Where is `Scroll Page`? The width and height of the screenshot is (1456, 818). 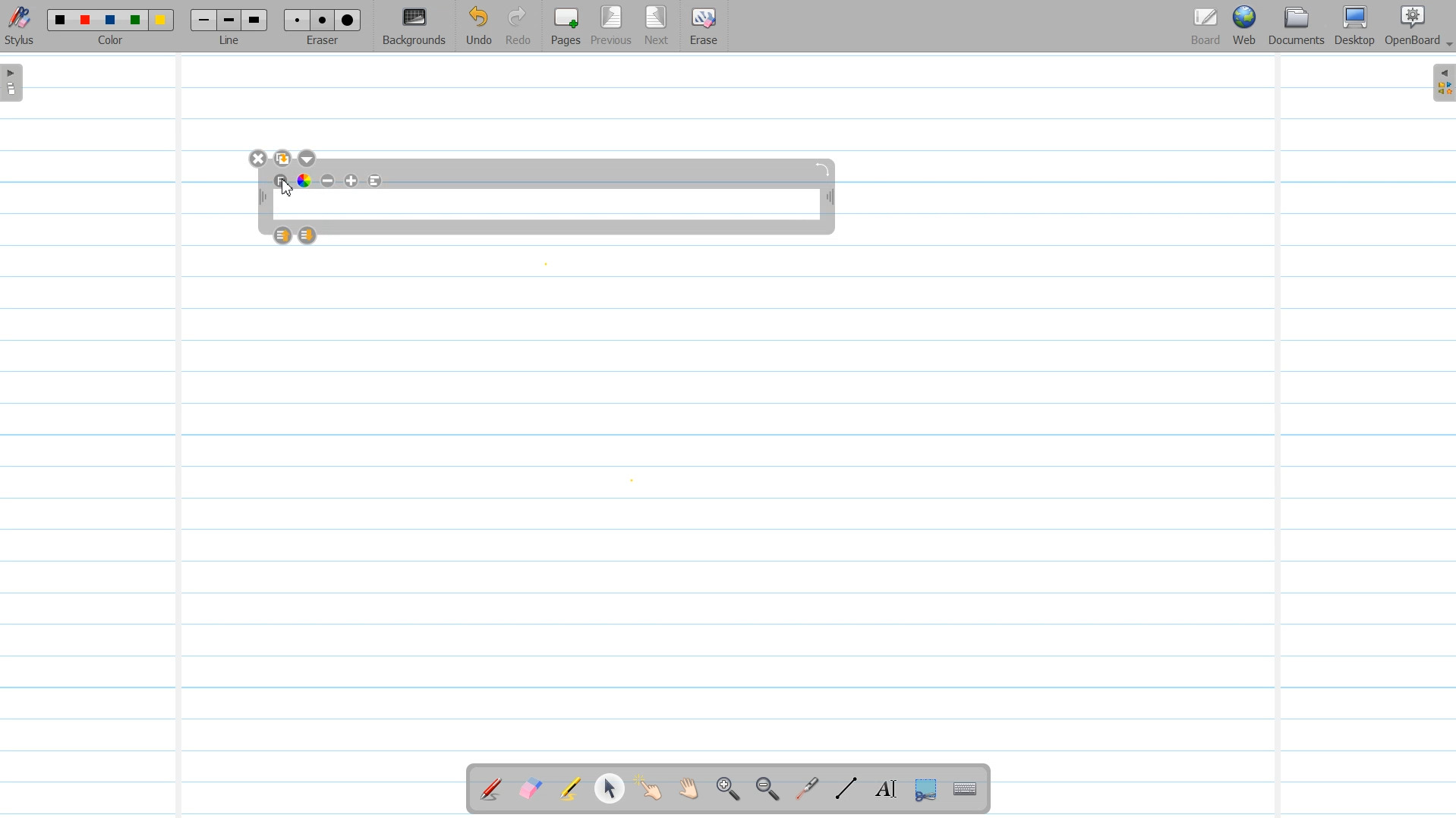 Scroll Page is located at coordinates (689, 790).